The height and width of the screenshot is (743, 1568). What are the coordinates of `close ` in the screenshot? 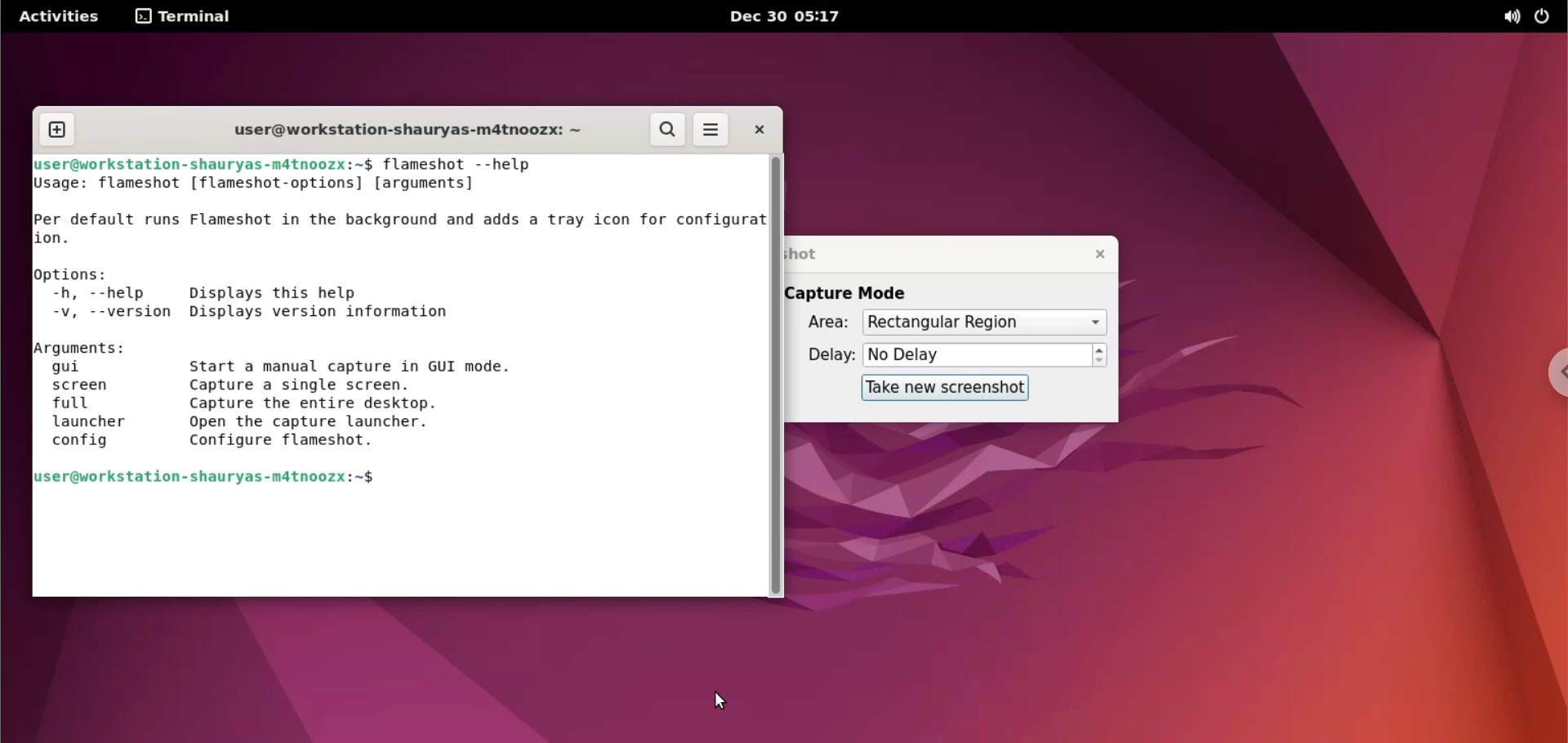 It's located at (1095, 254).